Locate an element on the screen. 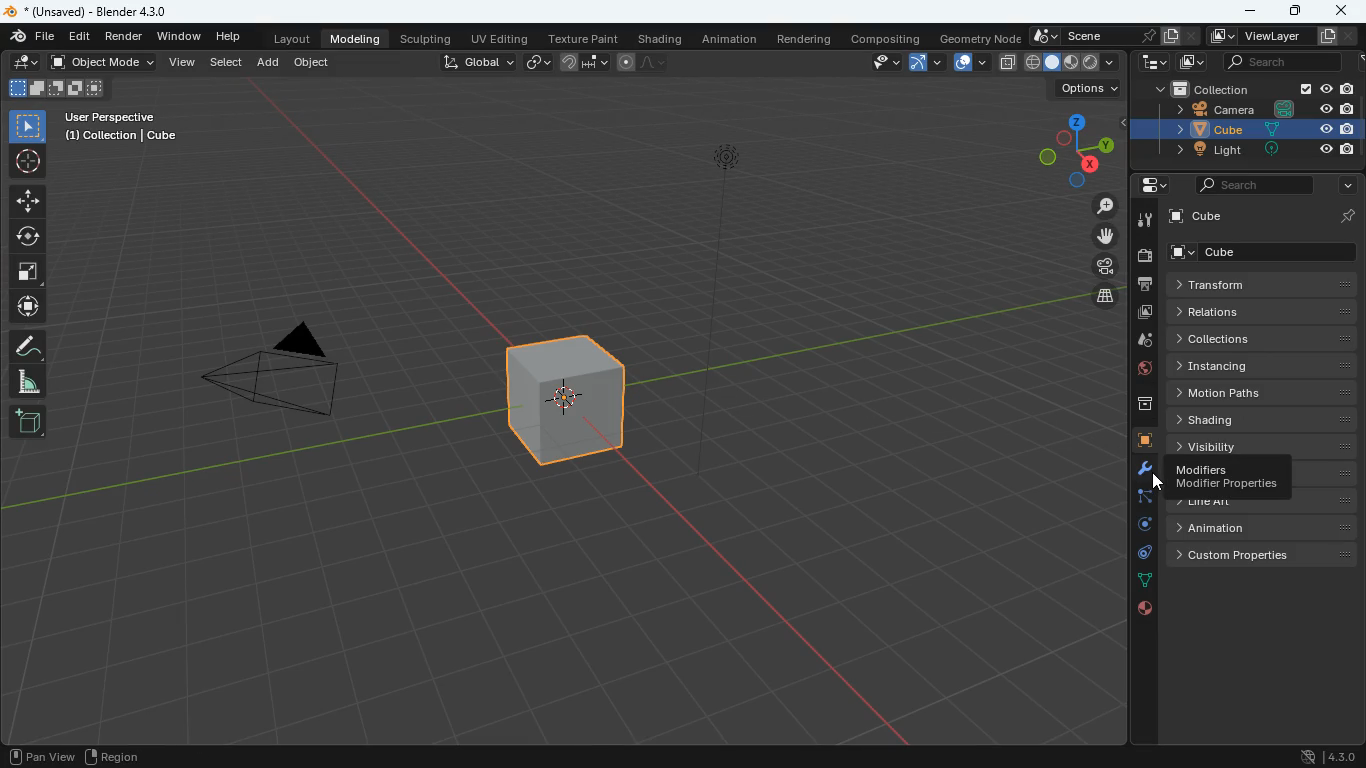 The image size is (1366, 768). sculpting is located at coordinates (425, 37).